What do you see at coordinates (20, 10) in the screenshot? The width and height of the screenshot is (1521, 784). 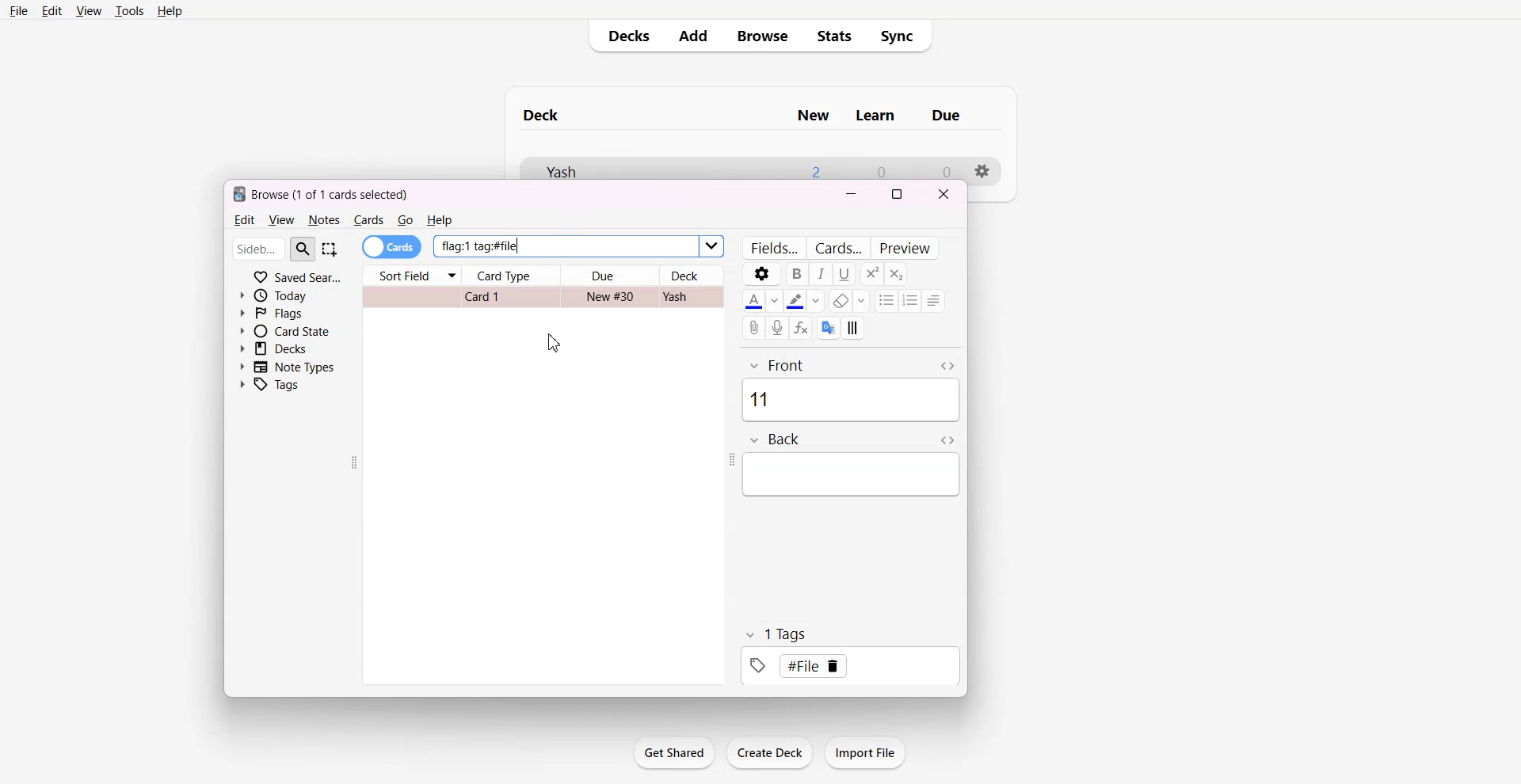 I see `File` at bounding box center [20, 10].